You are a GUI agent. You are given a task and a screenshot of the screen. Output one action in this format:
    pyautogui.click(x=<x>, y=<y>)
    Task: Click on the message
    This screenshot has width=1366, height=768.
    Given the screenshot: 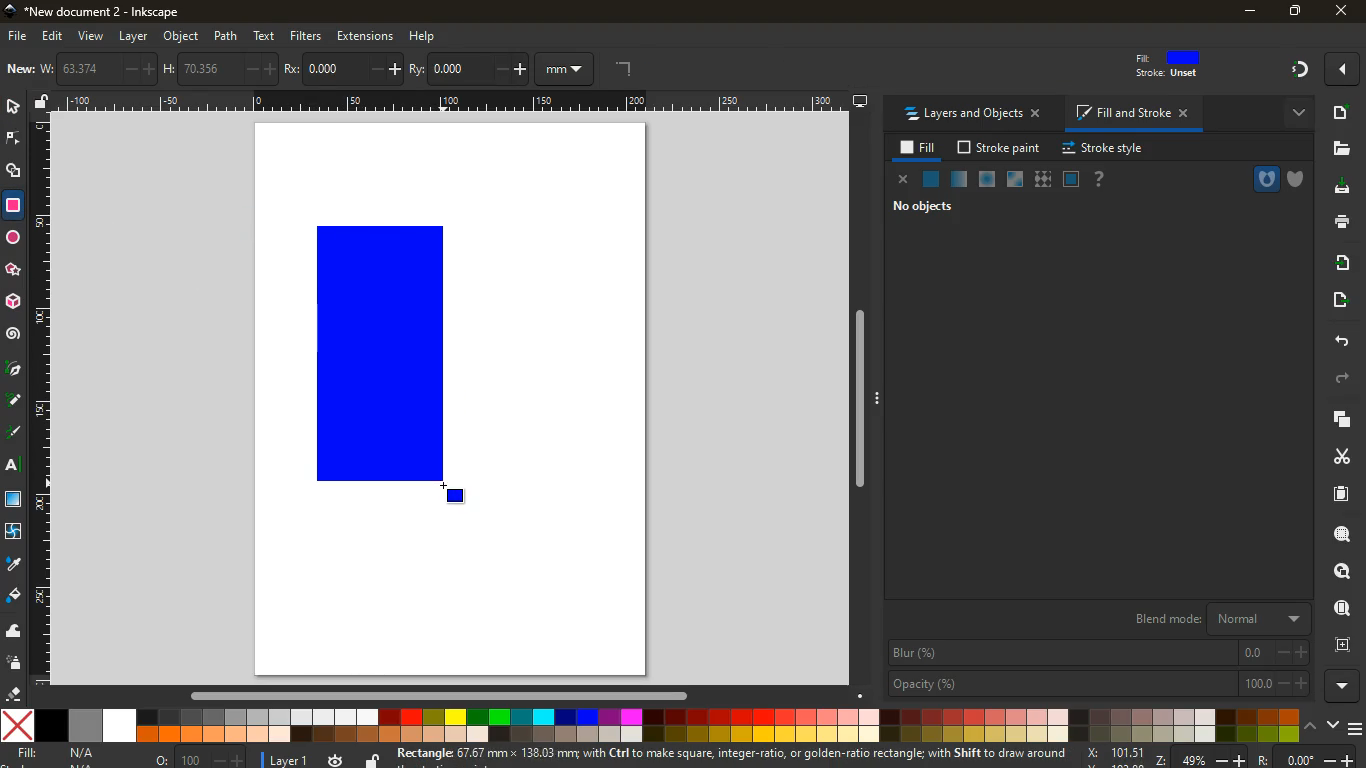 What is the action you would take?
    pyautogui.click(x=732, y=754)
    